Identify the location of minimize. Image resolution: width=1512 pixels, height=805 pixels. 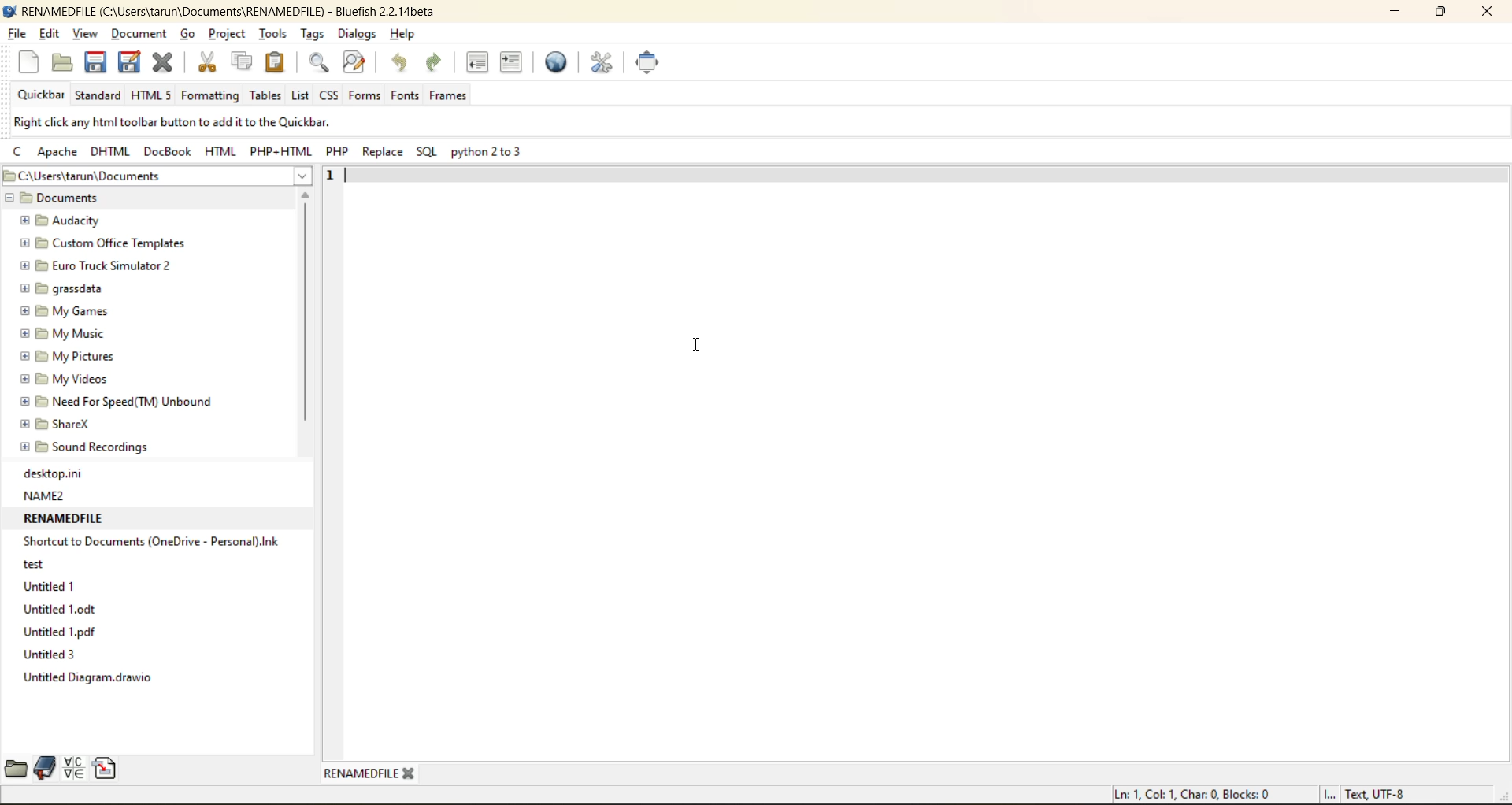
(1399, 9).